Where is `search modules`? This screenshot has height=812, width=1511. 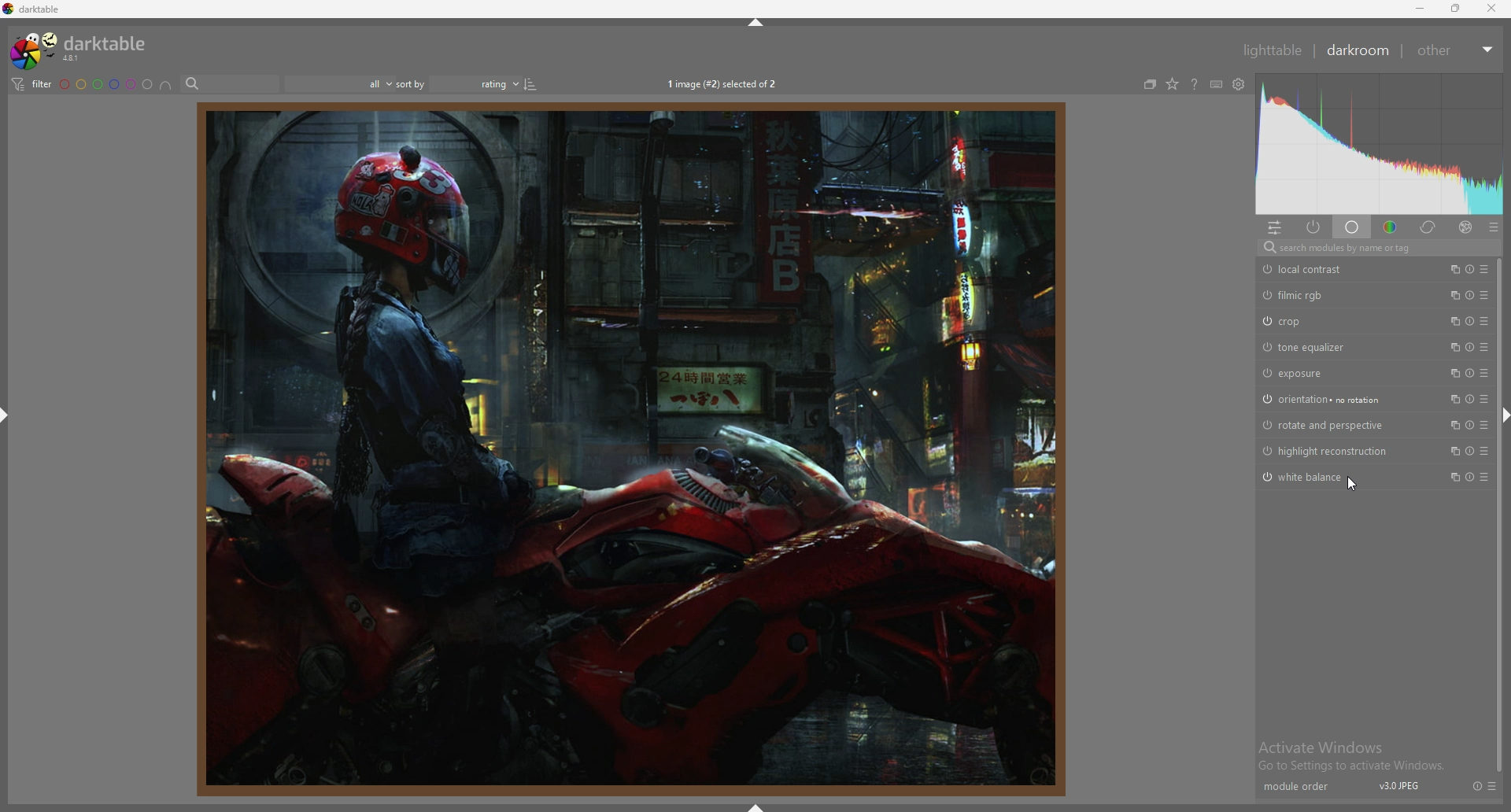
search modules is located at coordinates (1375, 249).